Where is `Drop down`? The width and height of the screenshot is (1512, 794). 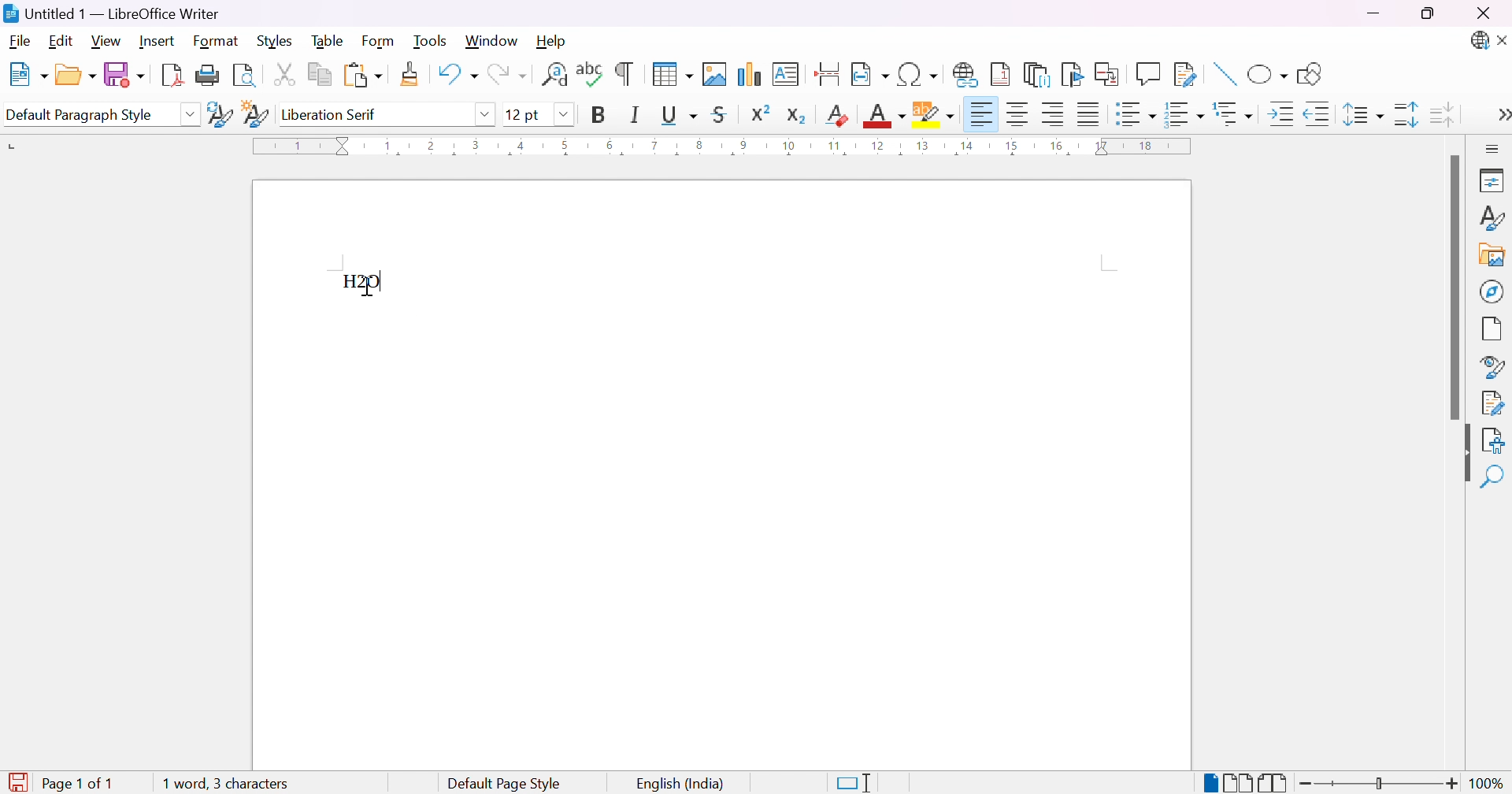
Drop down is located at coordinates (190, 114).